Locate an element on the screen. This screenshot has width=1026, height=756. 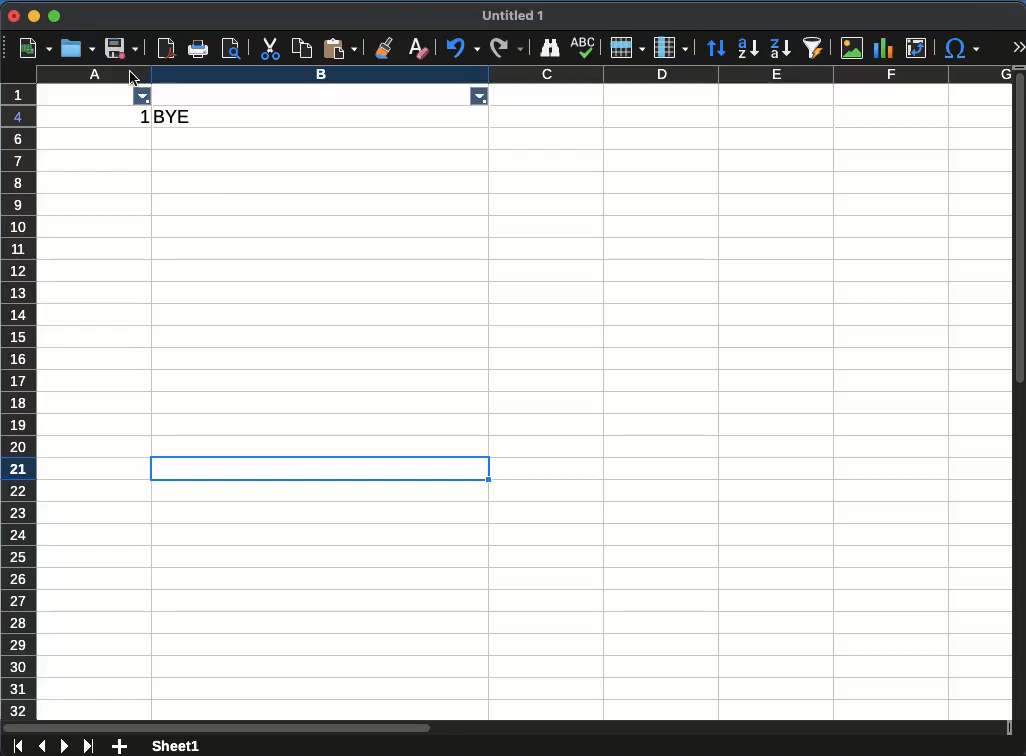
scroll is located at coordinates (505, 725).